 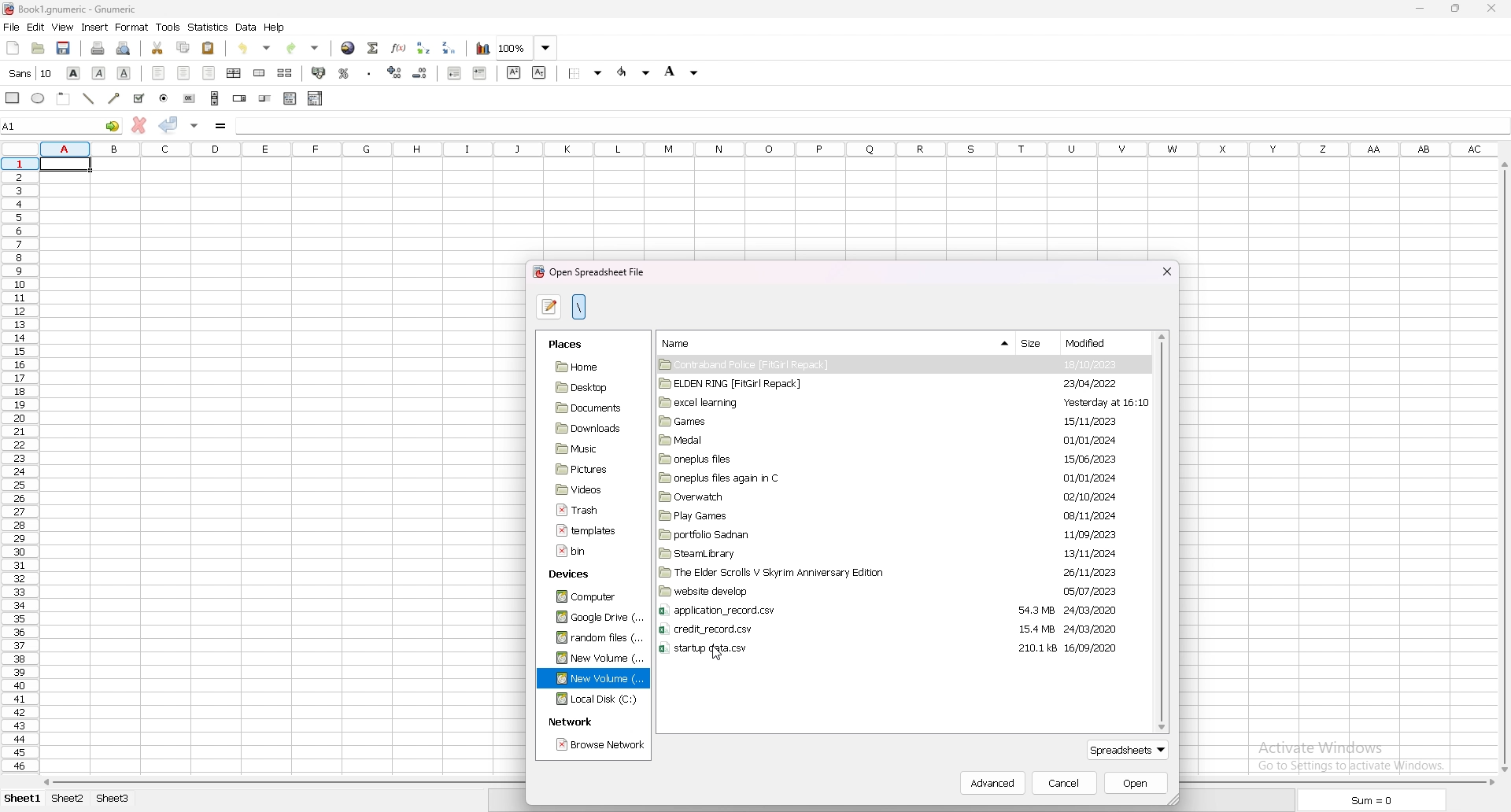 I want to click on summation, so click(x=374, y=46).